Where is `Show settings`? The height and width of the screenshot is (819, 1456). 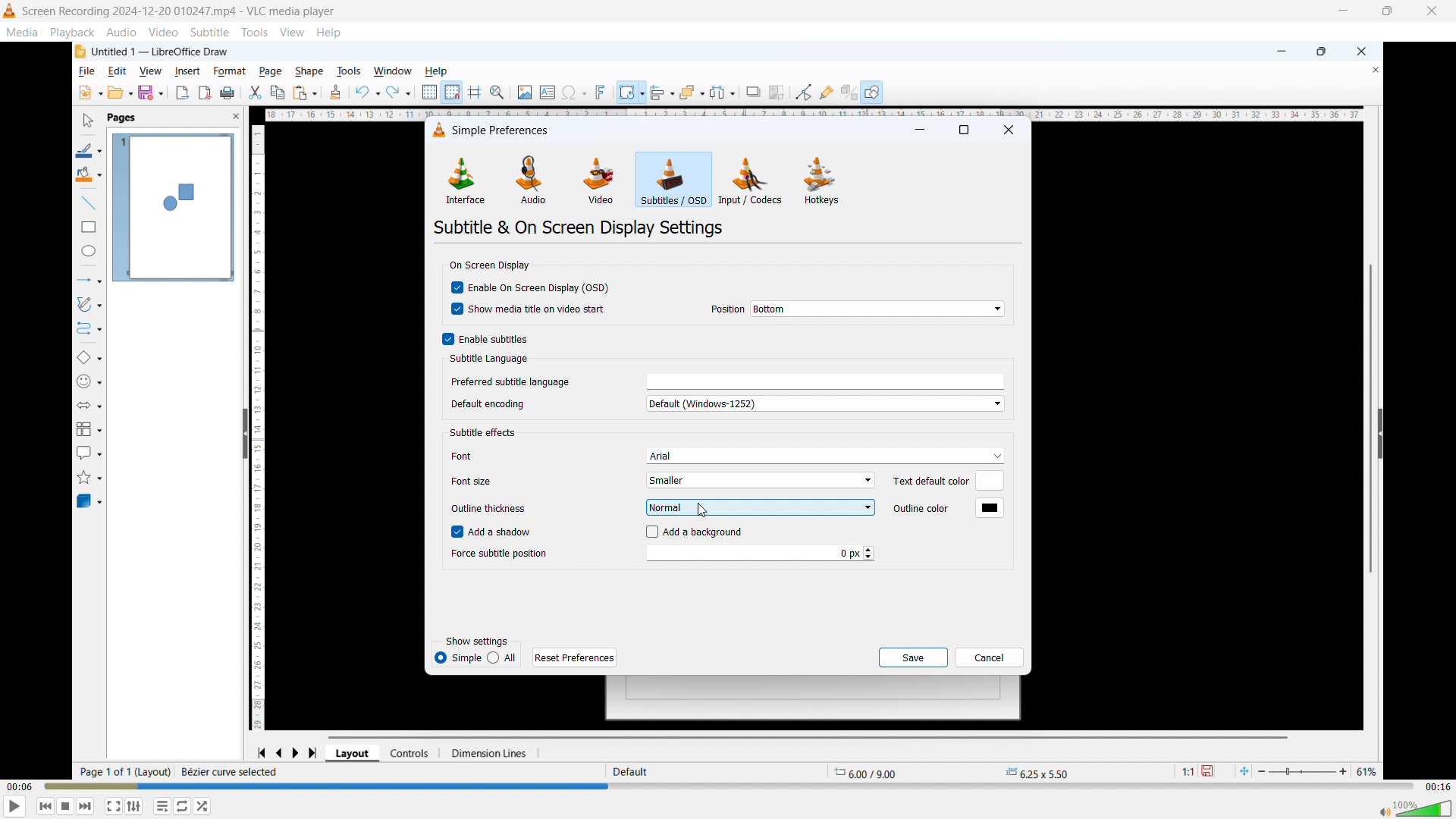 Show settings is located at coordinates (477, 642).